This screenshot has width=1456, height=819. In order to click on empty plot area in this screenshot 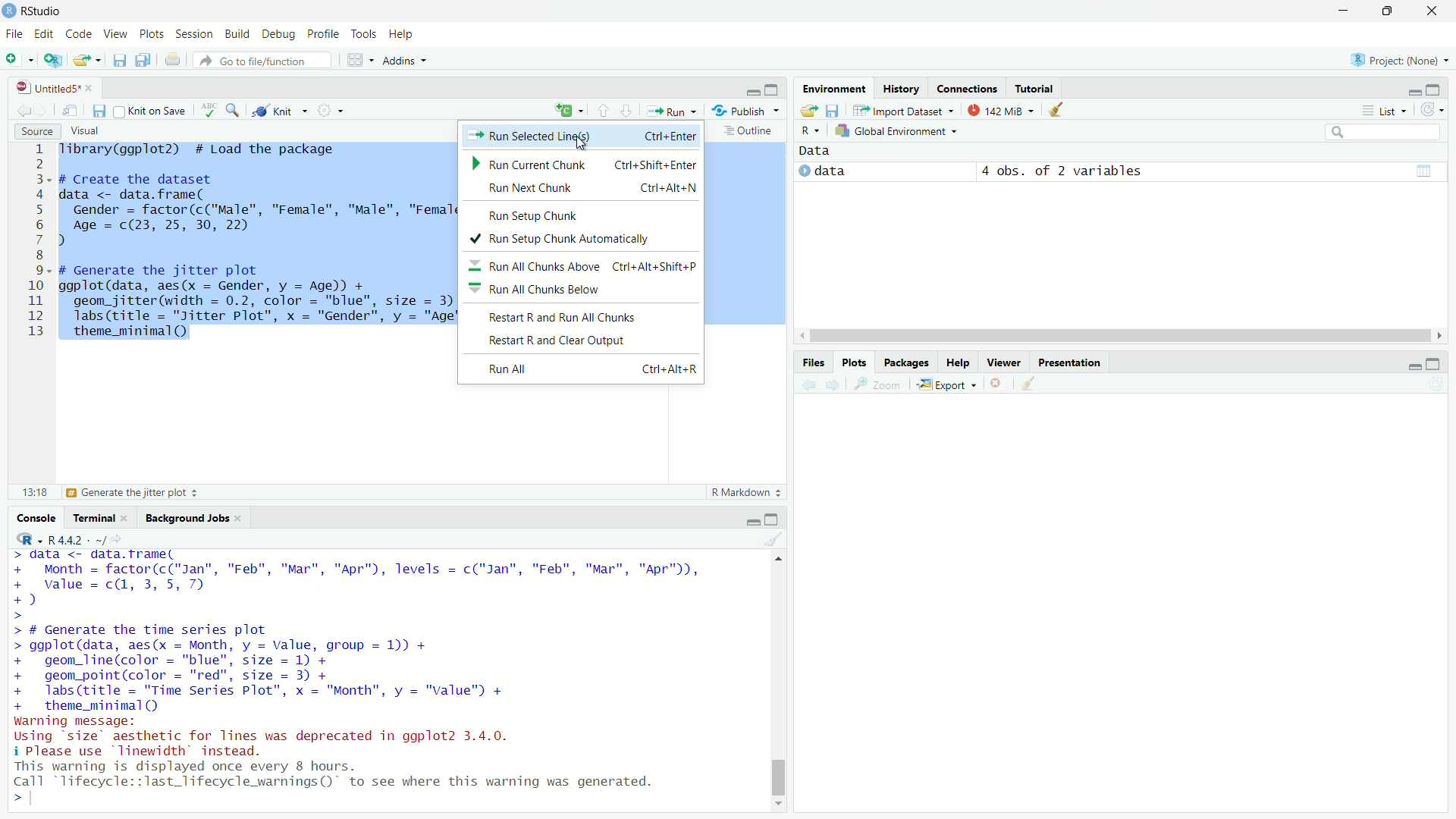, I will do `click(1130, 616)`.